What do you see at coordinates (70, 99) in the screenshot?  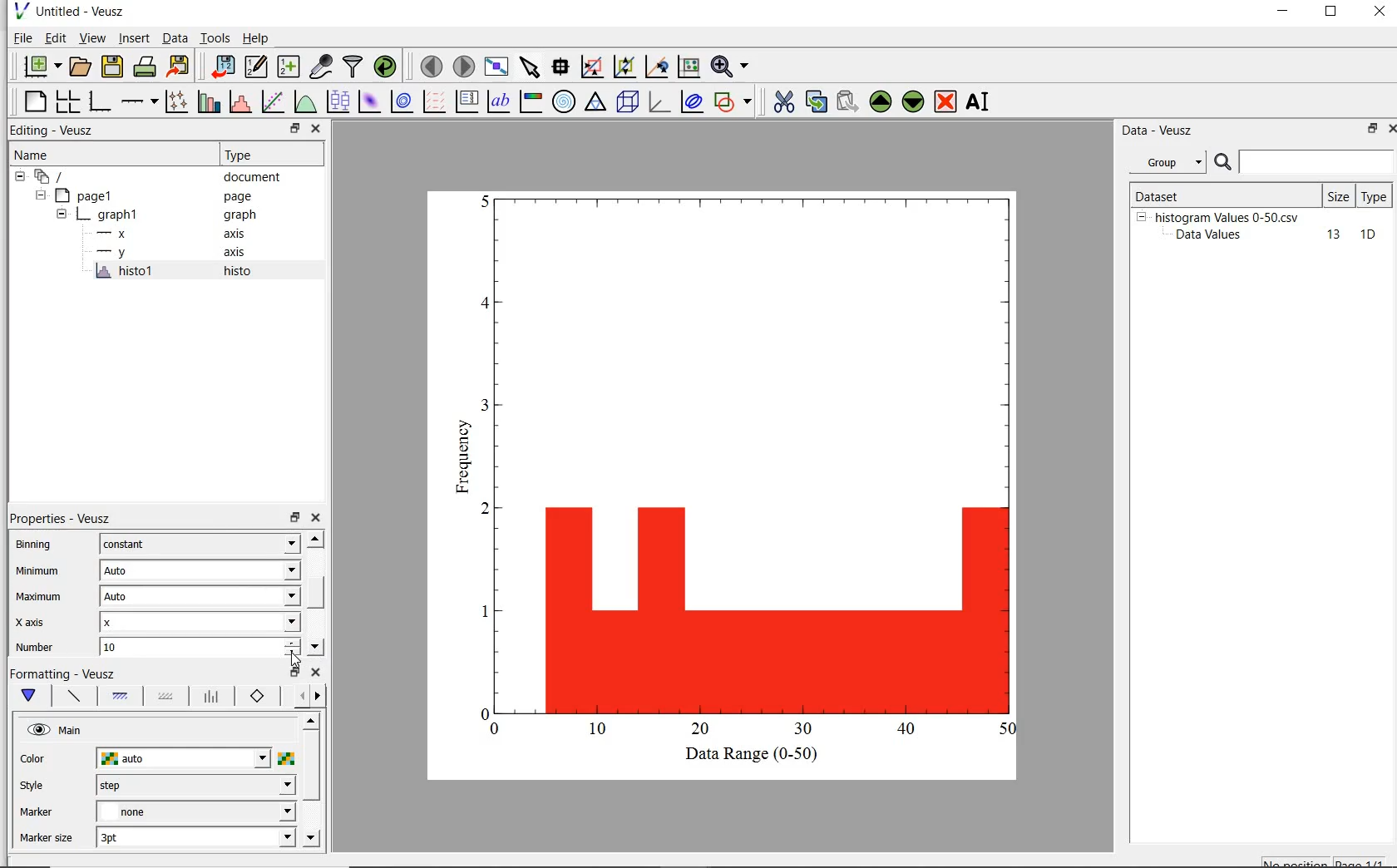 I see `arrange graphs in a grid ` at bounding box center [70, 99].